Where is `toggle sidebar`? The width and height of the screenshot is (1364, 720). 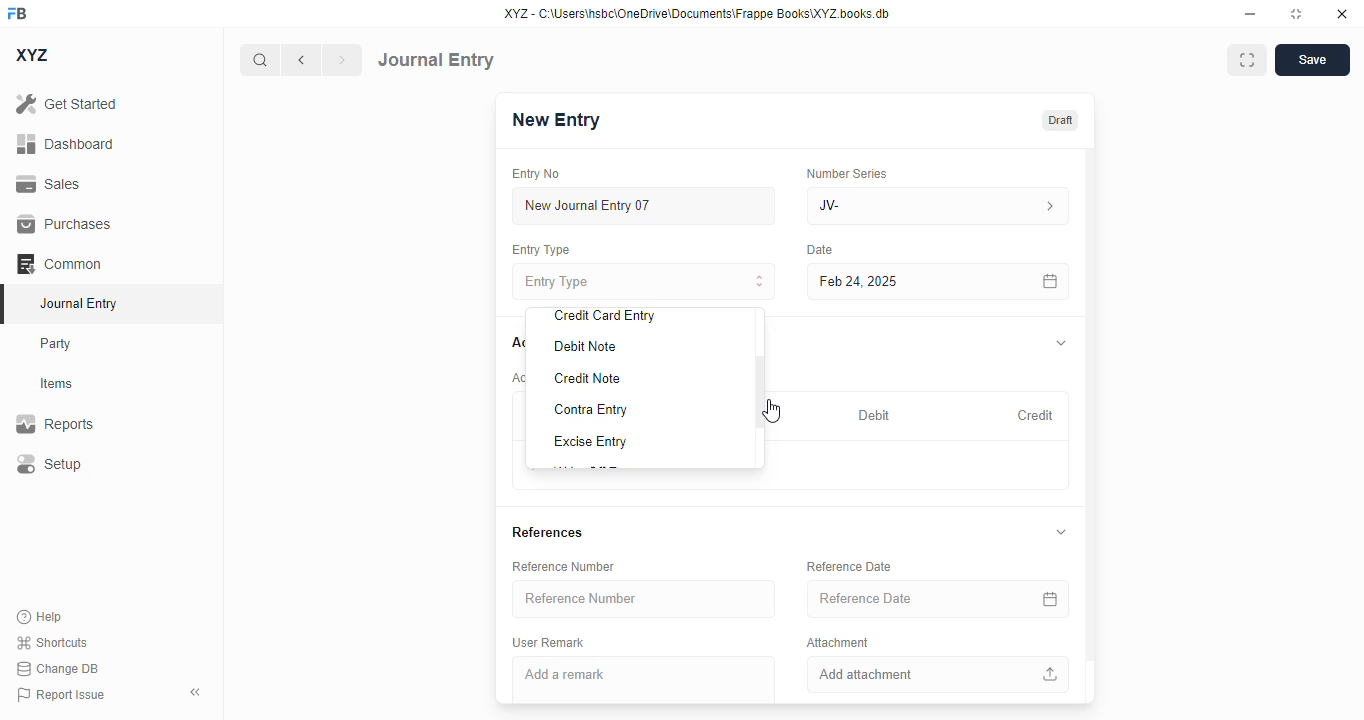
toggle sidebar is located at coordinates (197, 692).